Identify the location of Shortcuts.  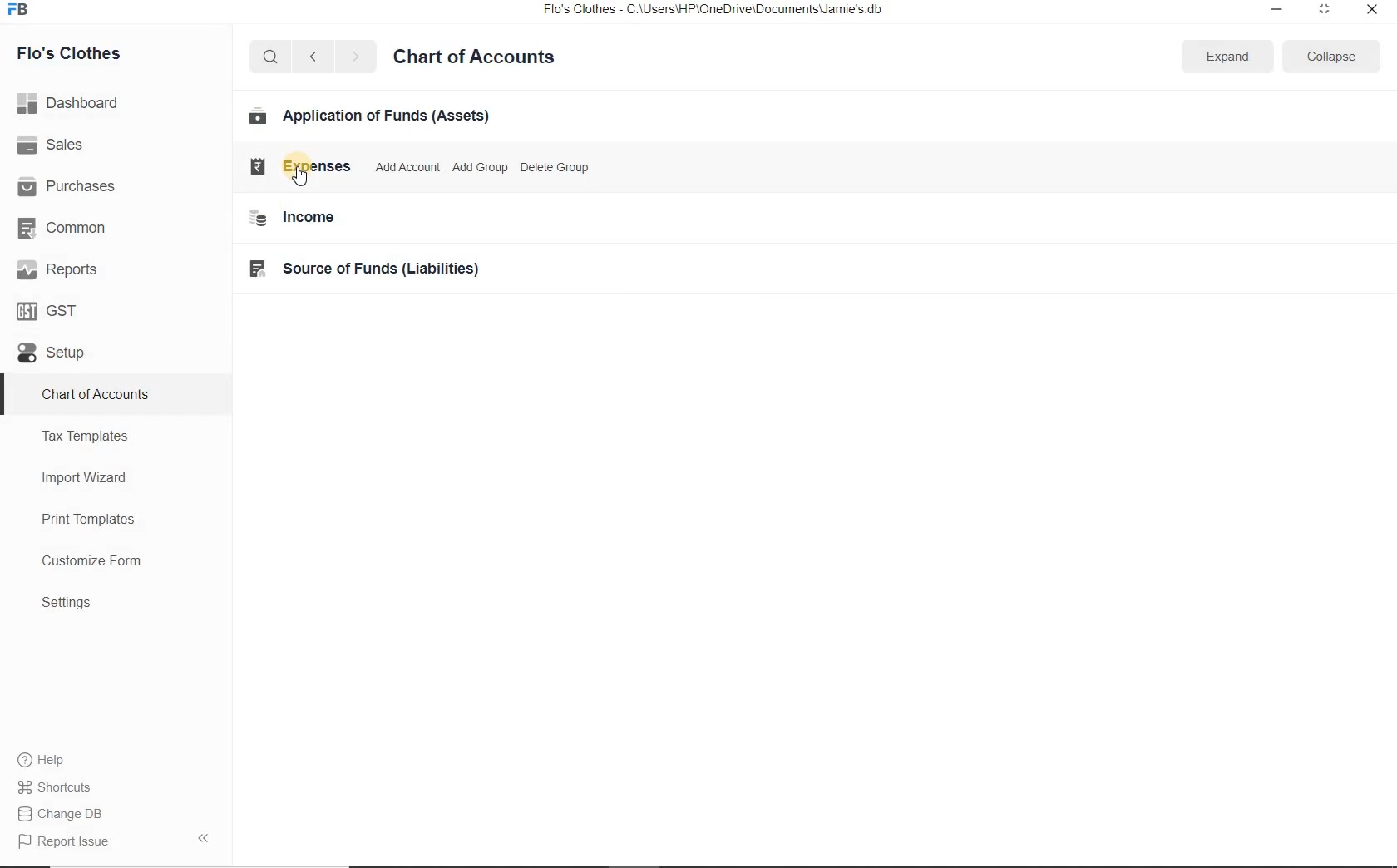
(69, 787).